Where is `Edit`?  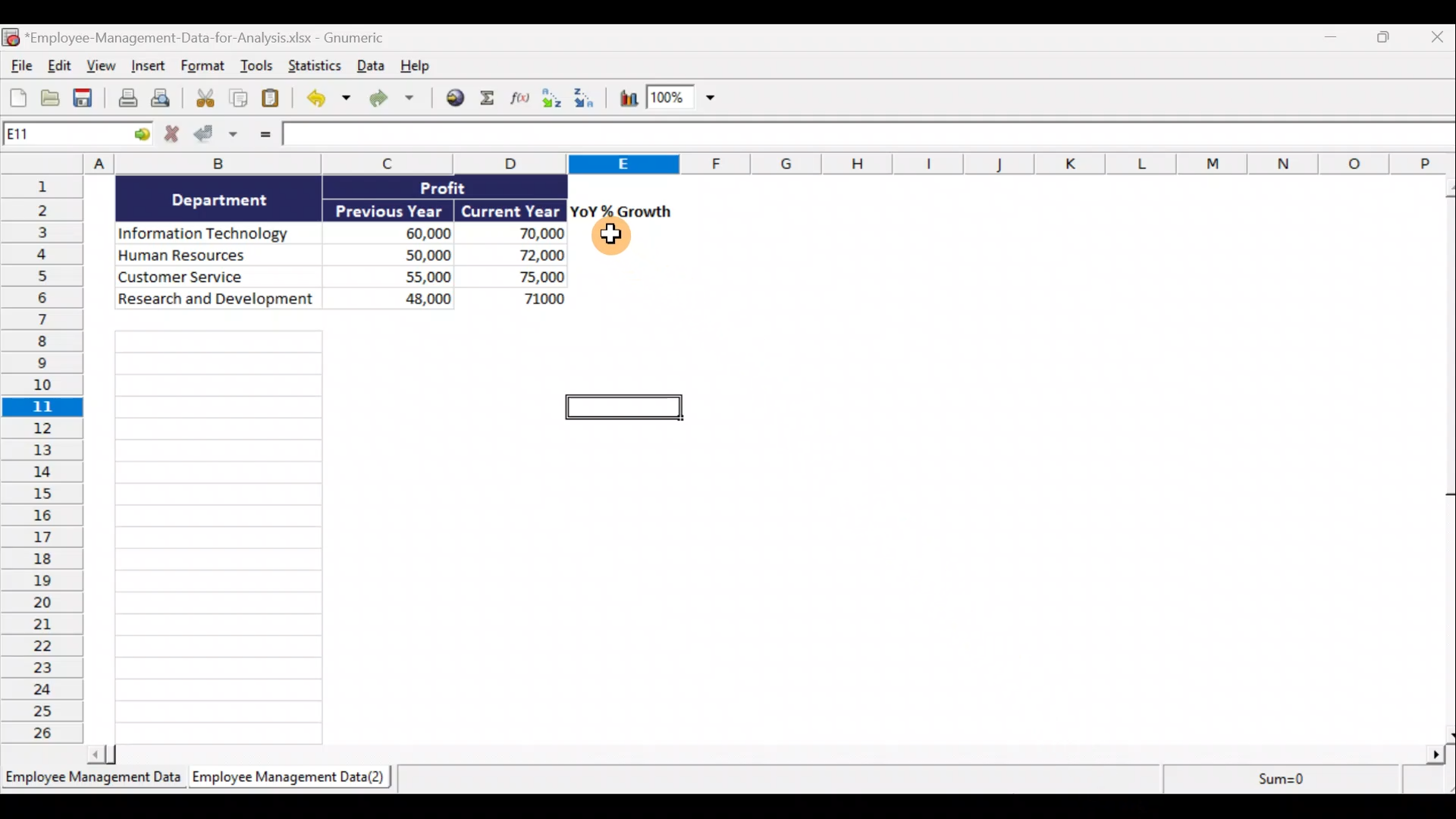
Edit is located at coordinates (58, 65).